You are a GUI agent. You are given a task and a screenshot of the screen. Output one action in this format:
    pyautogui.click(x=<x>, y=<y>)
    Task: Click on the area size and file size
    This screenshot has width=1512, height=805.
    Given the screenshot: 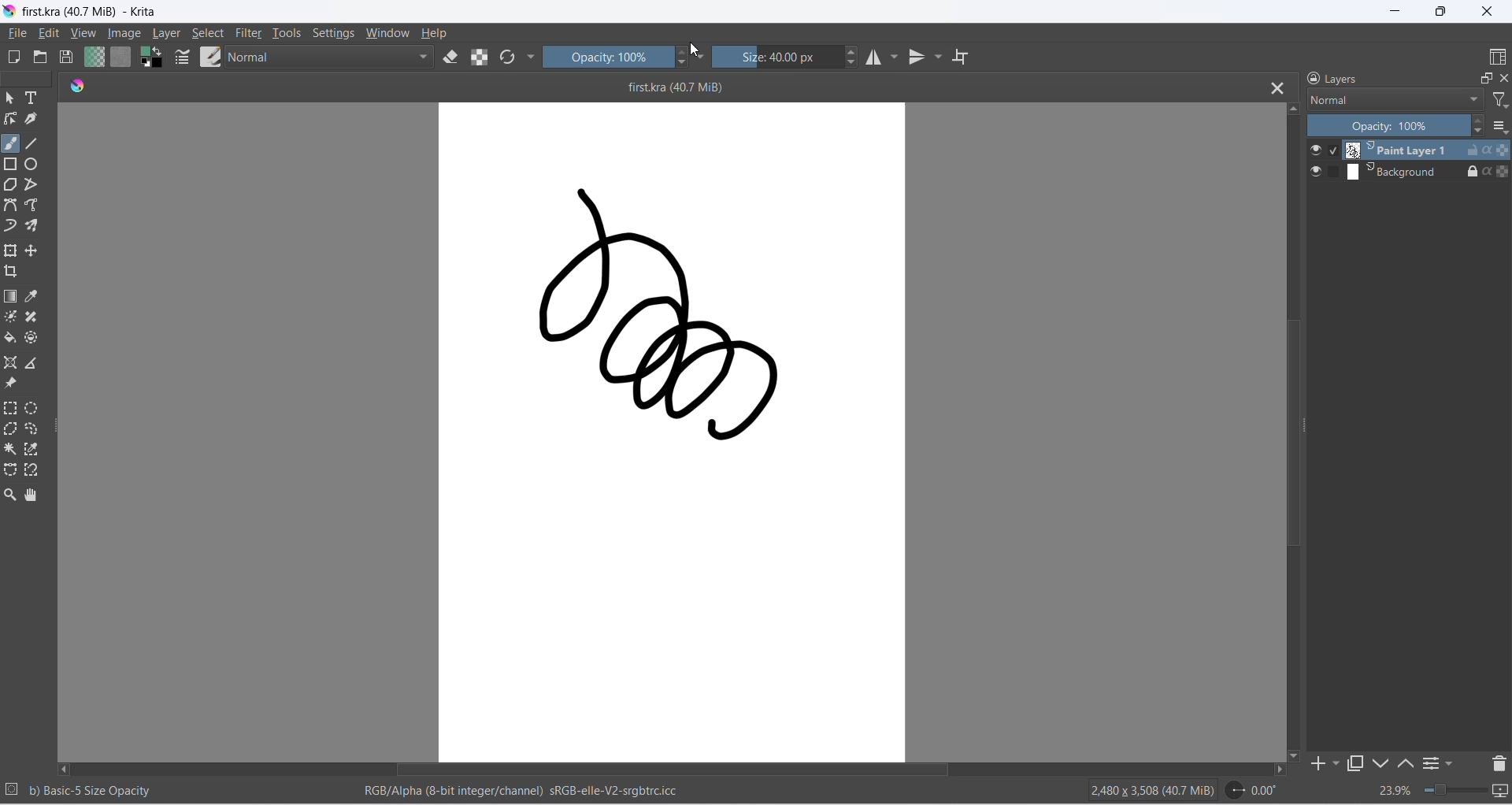 What is the action you would take?
    pyautogui.click(x=1153, y=790)
    